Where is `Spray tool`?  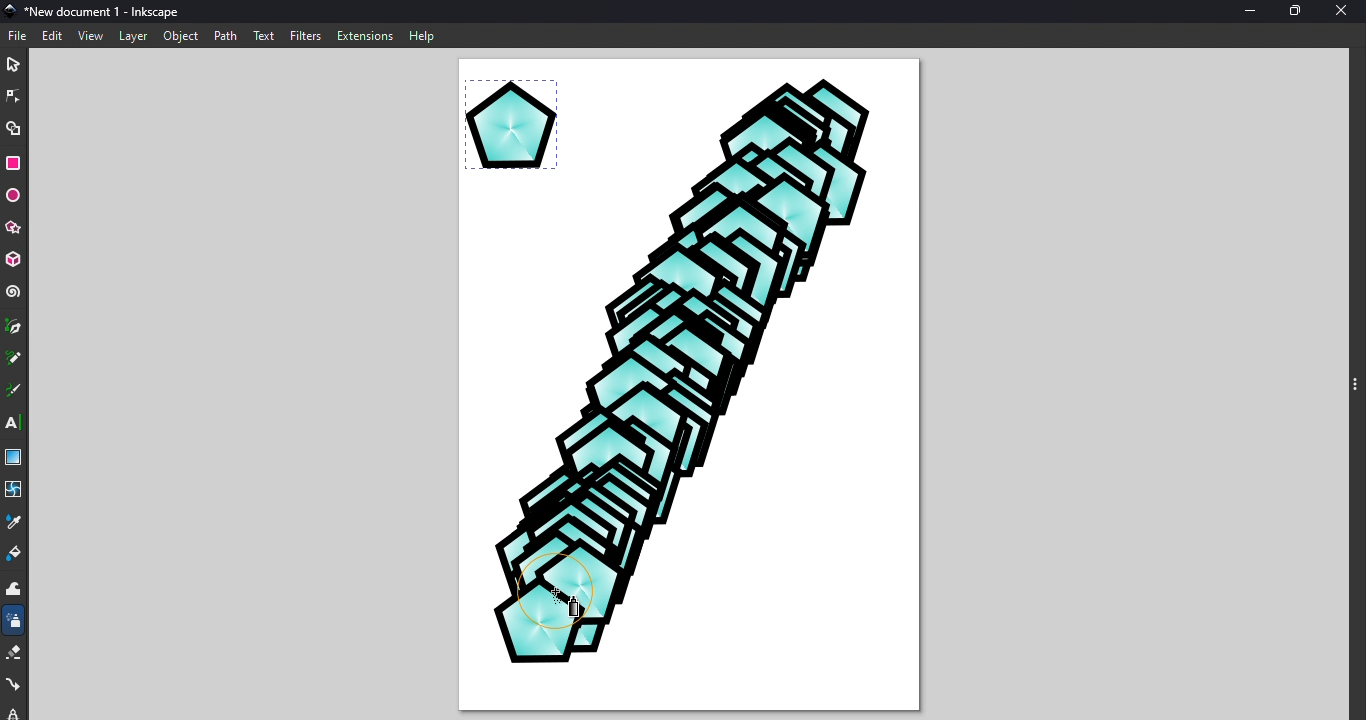
Spray tool is located at coordinates (14, 624).